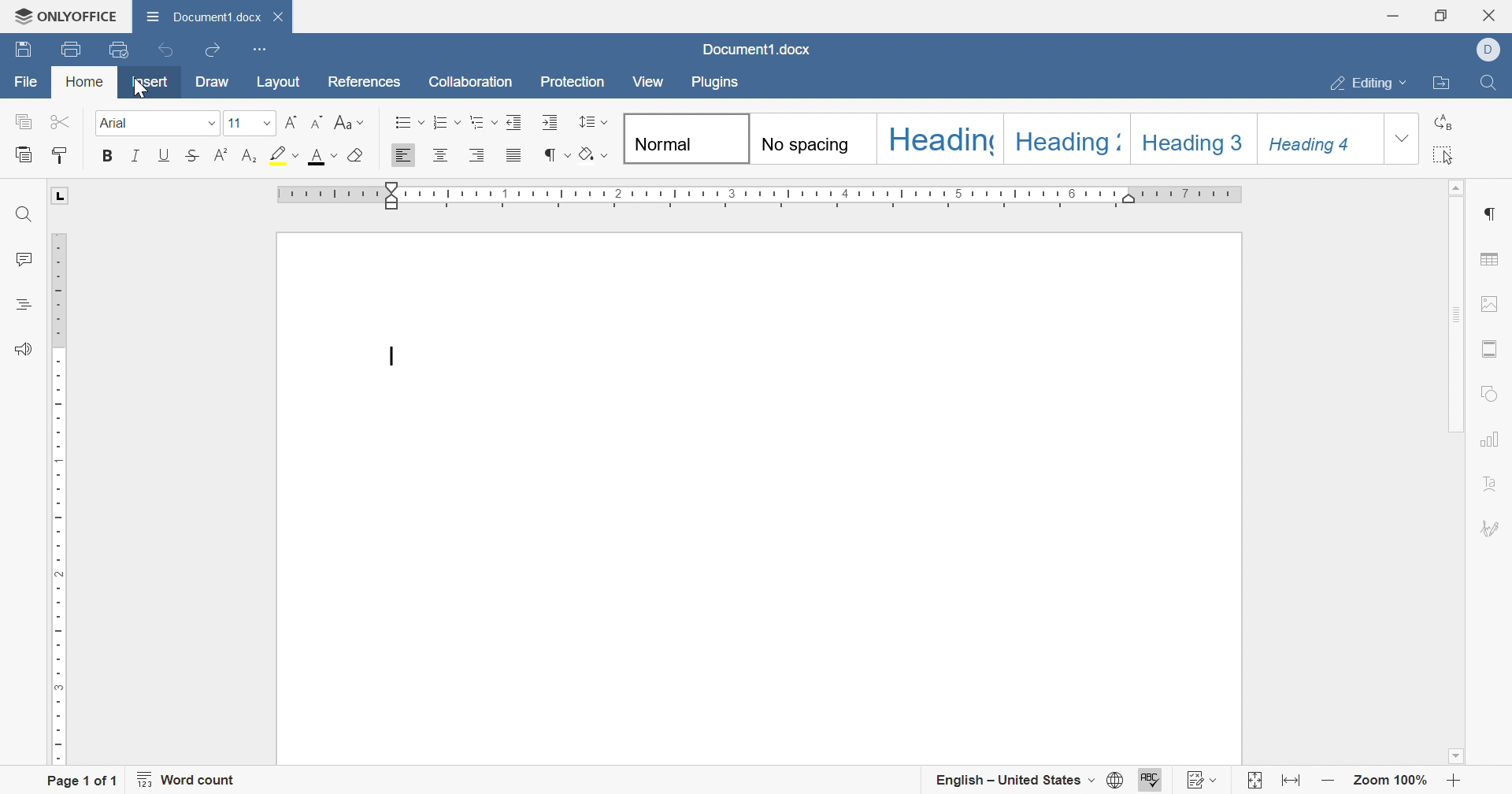  I want to click on Subscript, so click(249, 158).